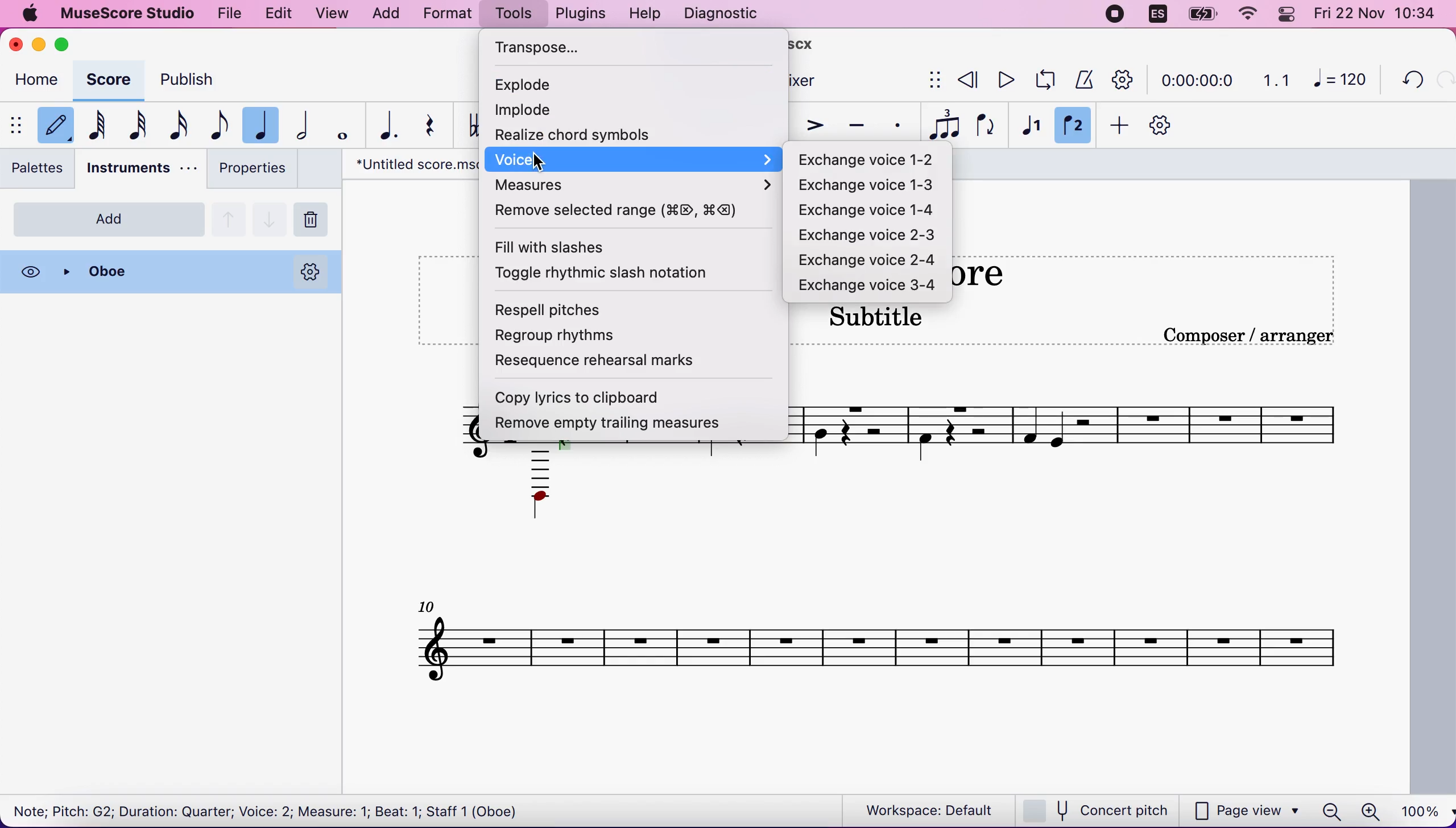 Image resolution: width=1456 pixels, height=828 pixels. What do you see at coordinates (875, 210) in the screenshot?
I see `exchange voice 1-4` at bounding box center [875, 210].